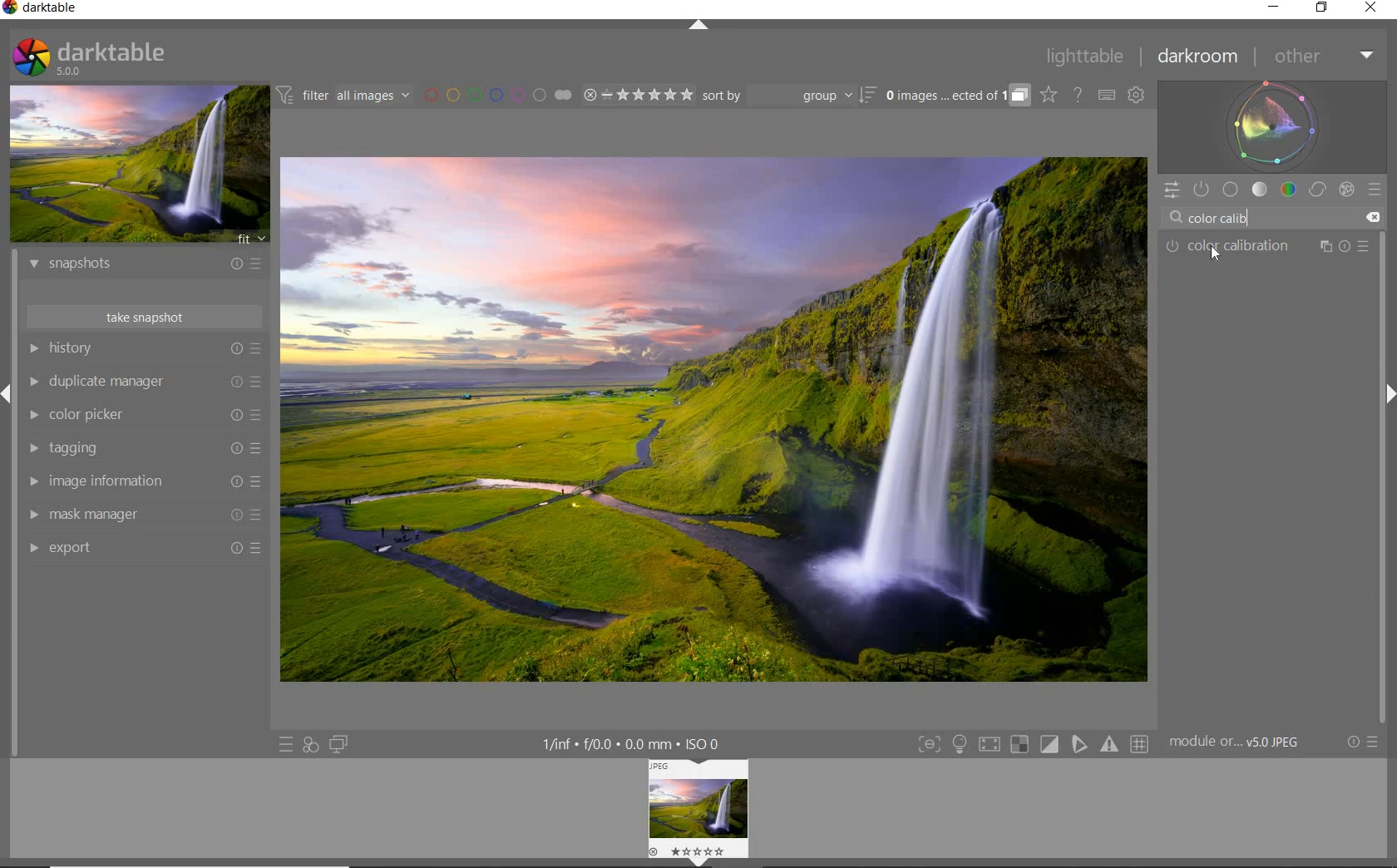 The image size is (1397, 868). I want to click on tagging, so click(144, 448).